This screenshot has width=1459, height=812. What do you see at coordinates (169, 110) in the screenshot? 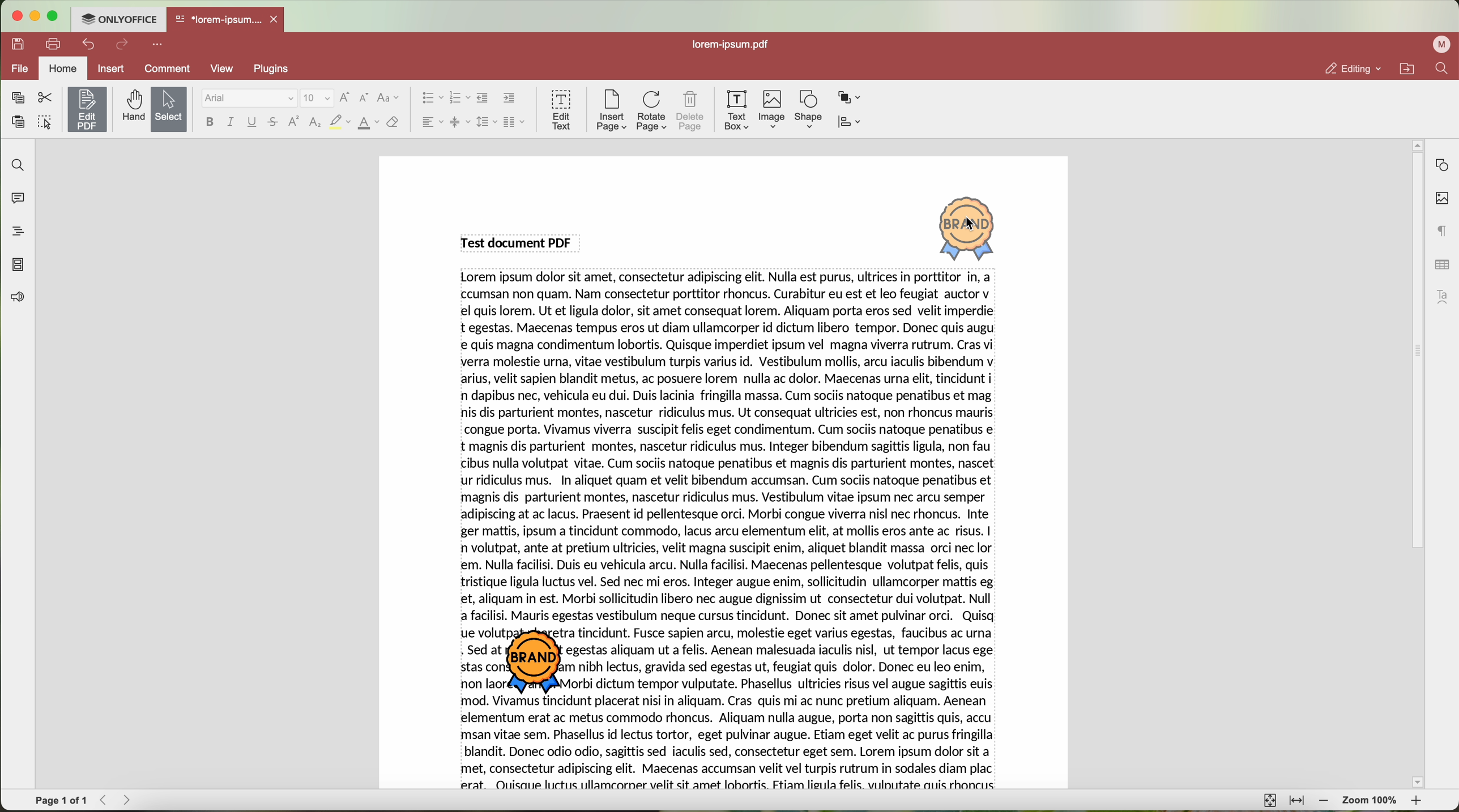
I see `select` at bounding box center [169, 110].